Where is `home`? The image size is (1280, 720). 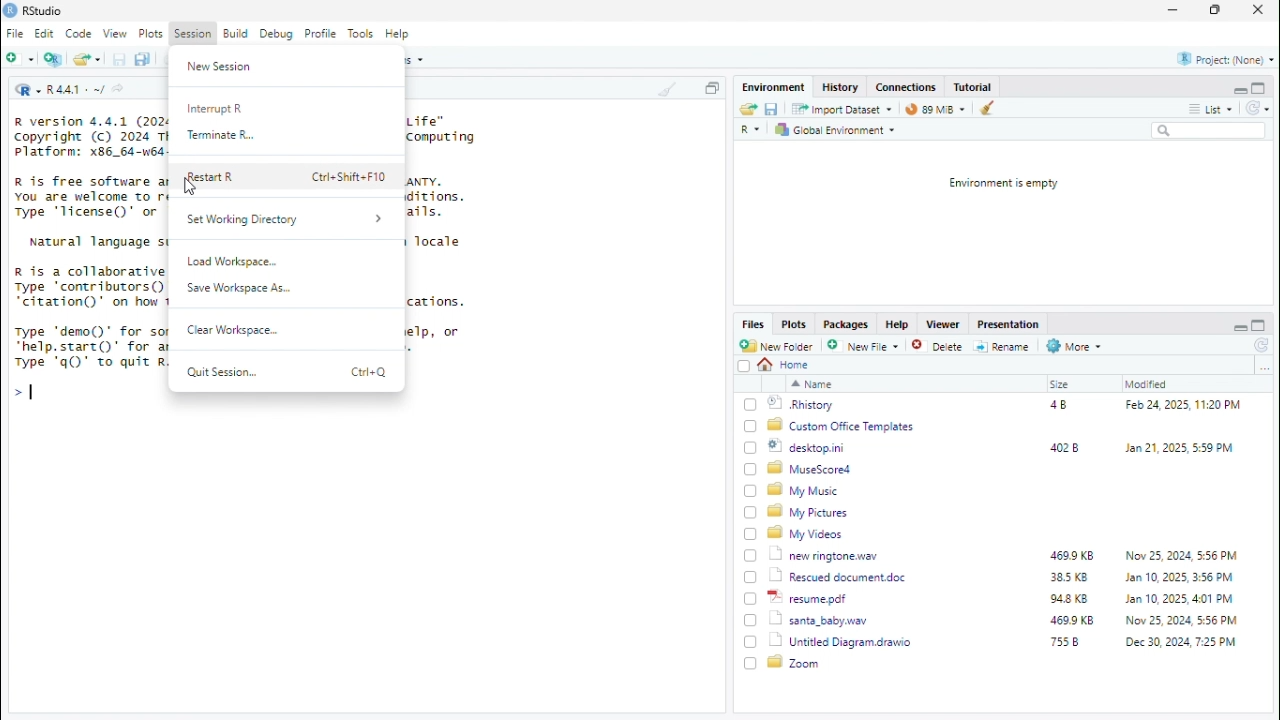 home is located at coordinates (785, 365).